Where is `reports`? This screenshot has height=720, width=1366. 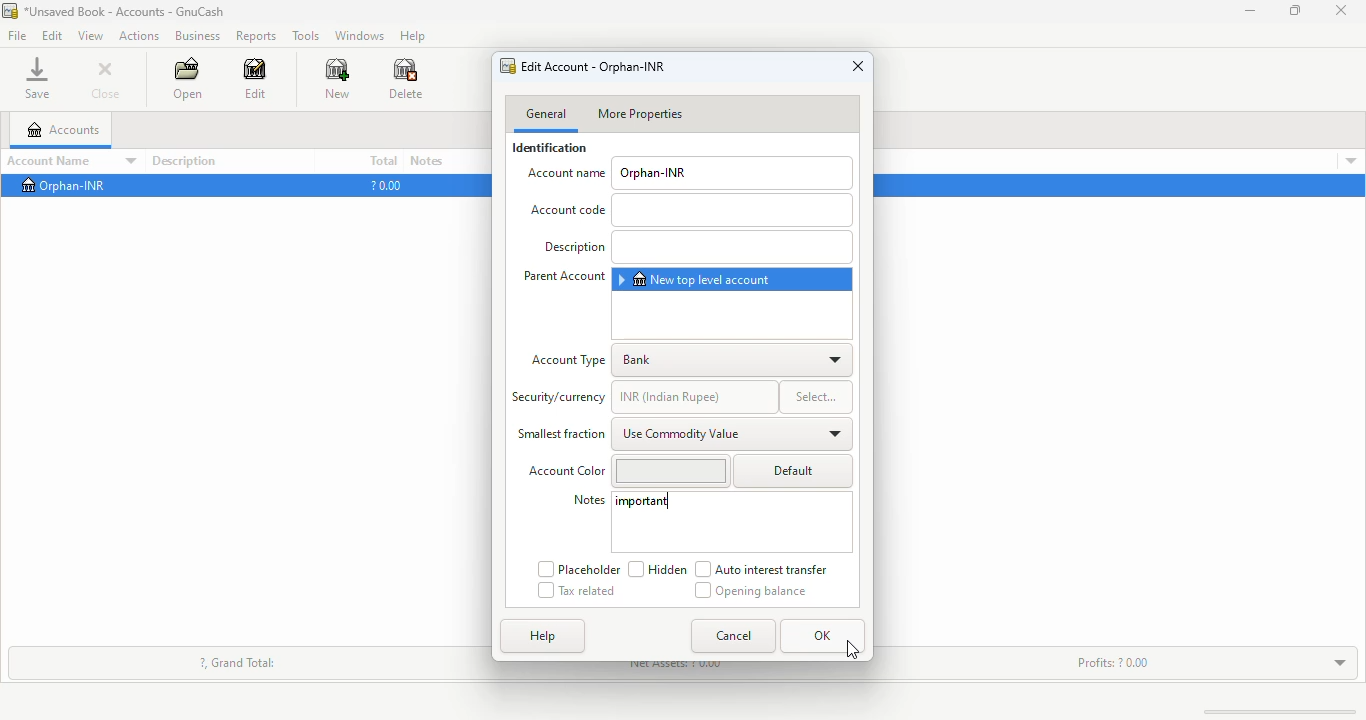 reports is located at coordinates (255, 36).